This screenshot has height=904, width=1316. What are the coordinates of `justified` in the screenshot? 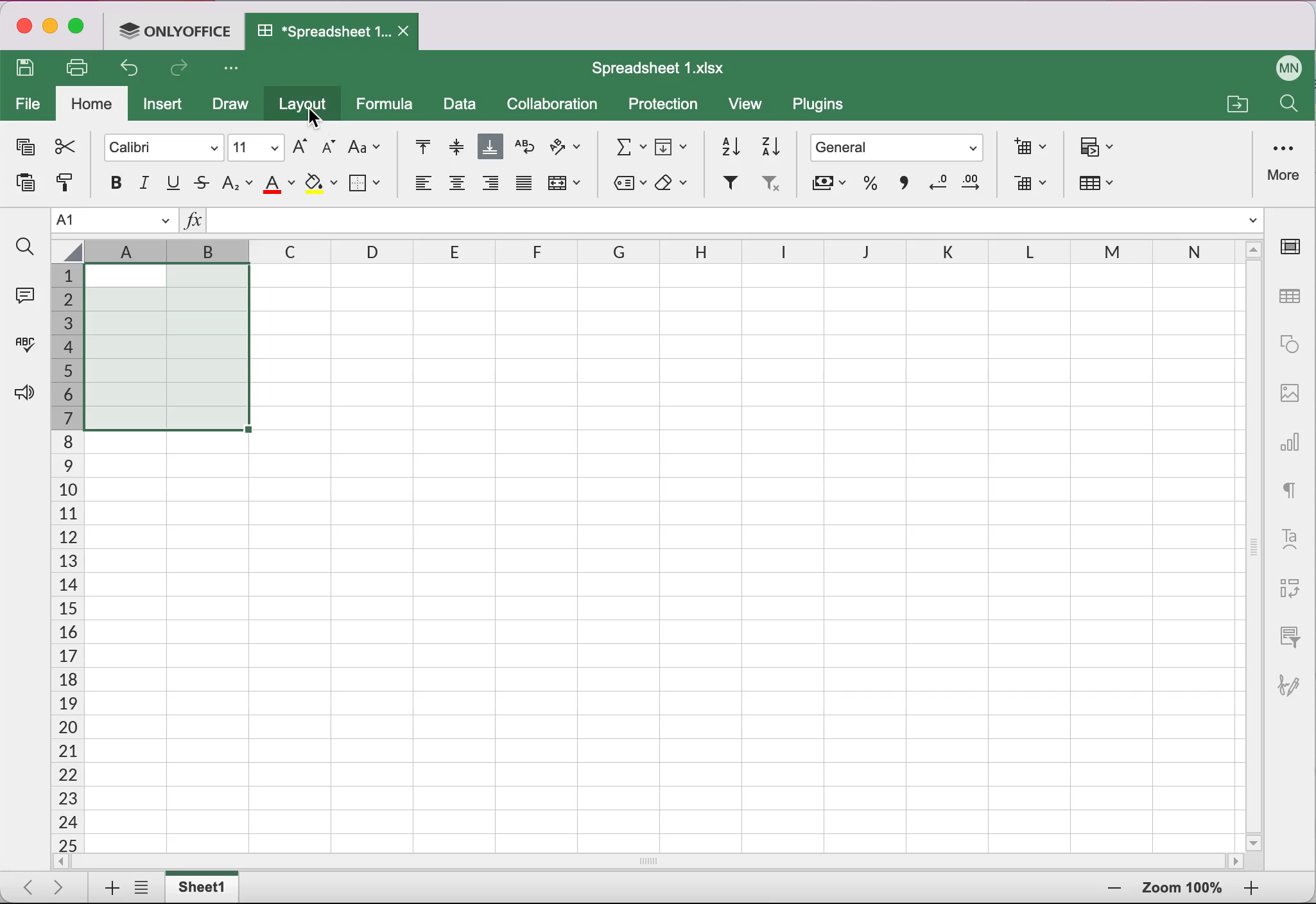 It's located at (523, 187).